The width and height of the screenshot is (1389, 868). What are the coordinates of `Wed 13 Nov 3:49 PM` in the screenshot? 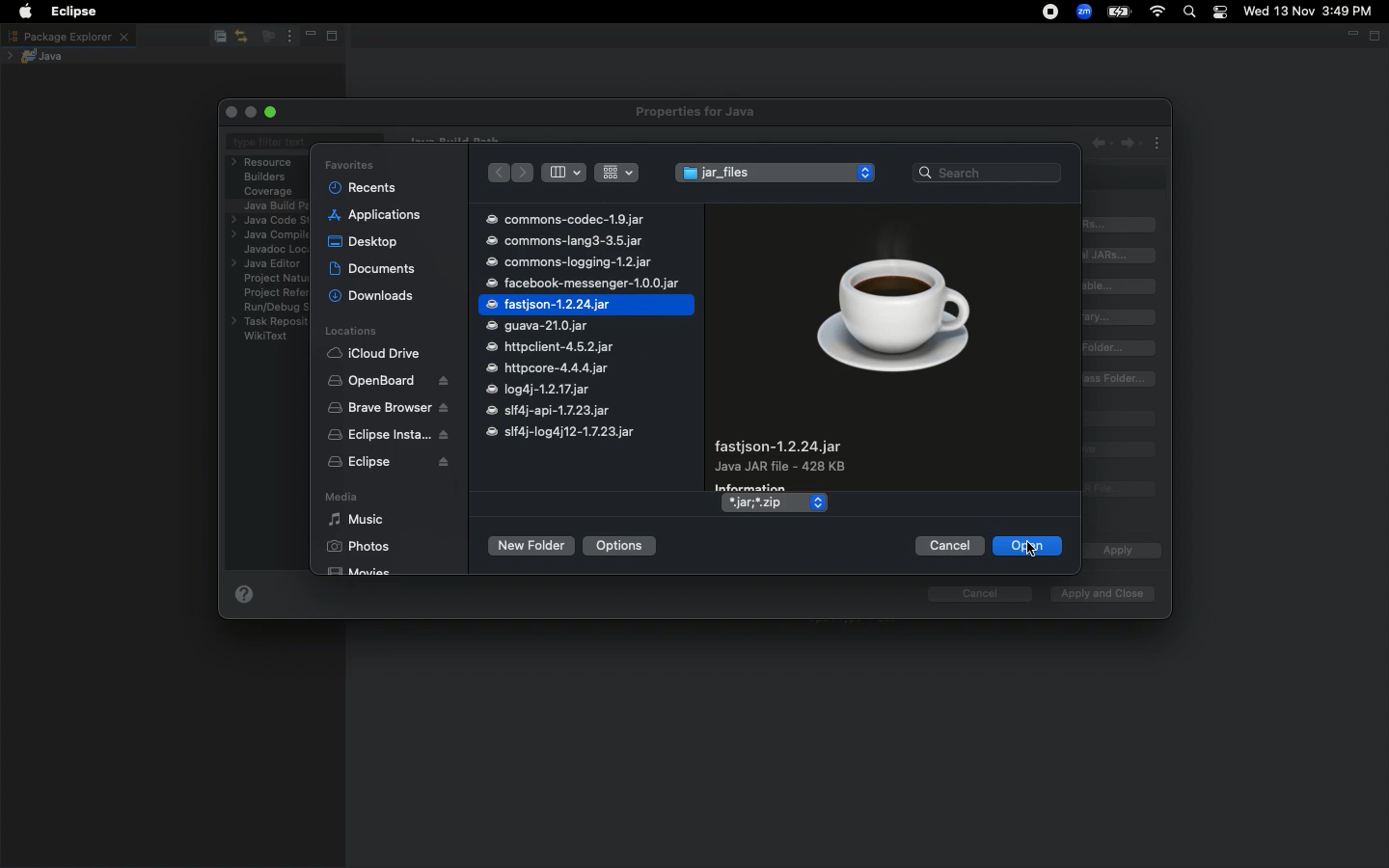 It's located at (1309, 10).